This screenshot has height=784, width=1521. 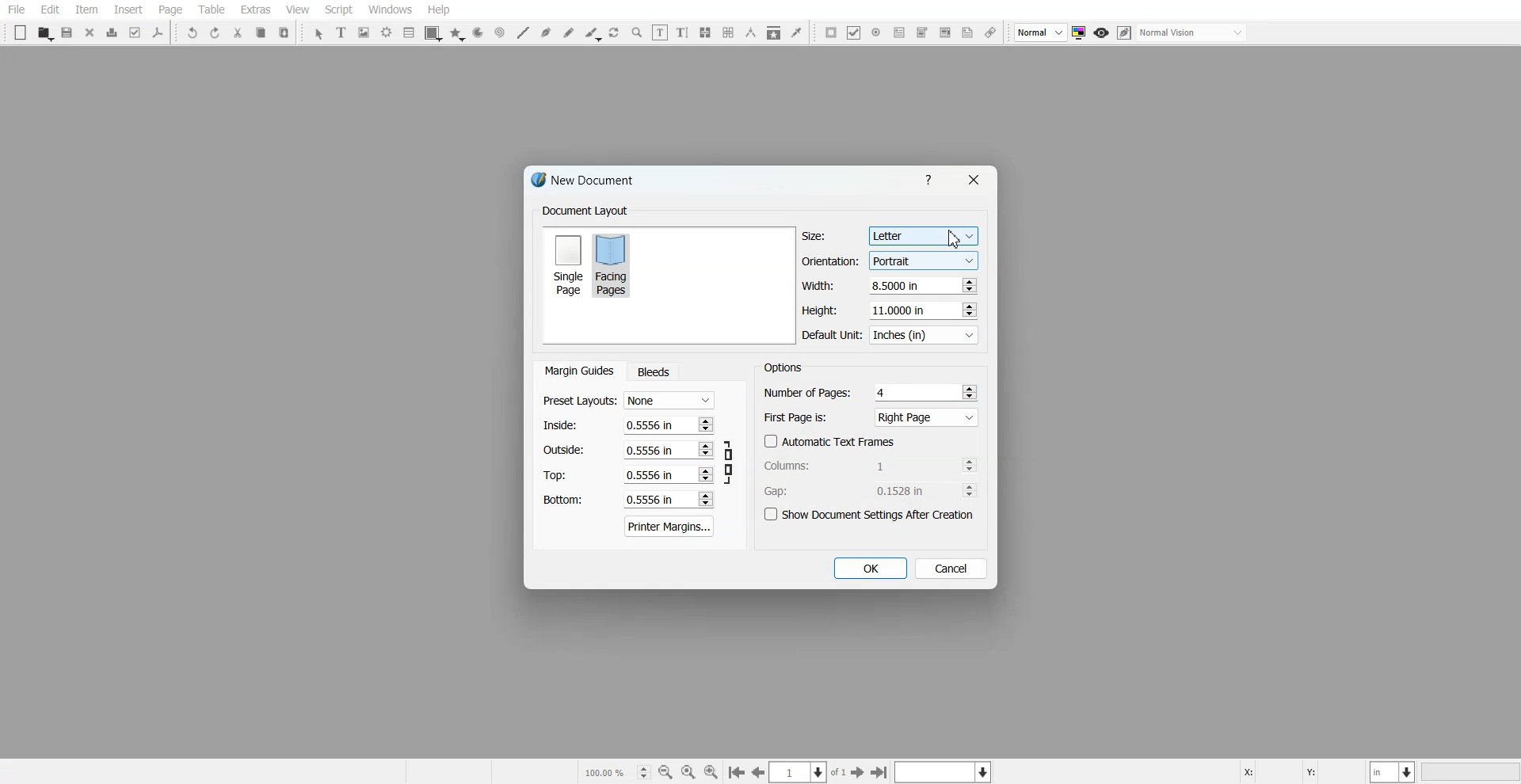 What do you see at coordinates (990, 33) in the screenshot?
I see `Link Annotation` at bounding box center [990, 33].